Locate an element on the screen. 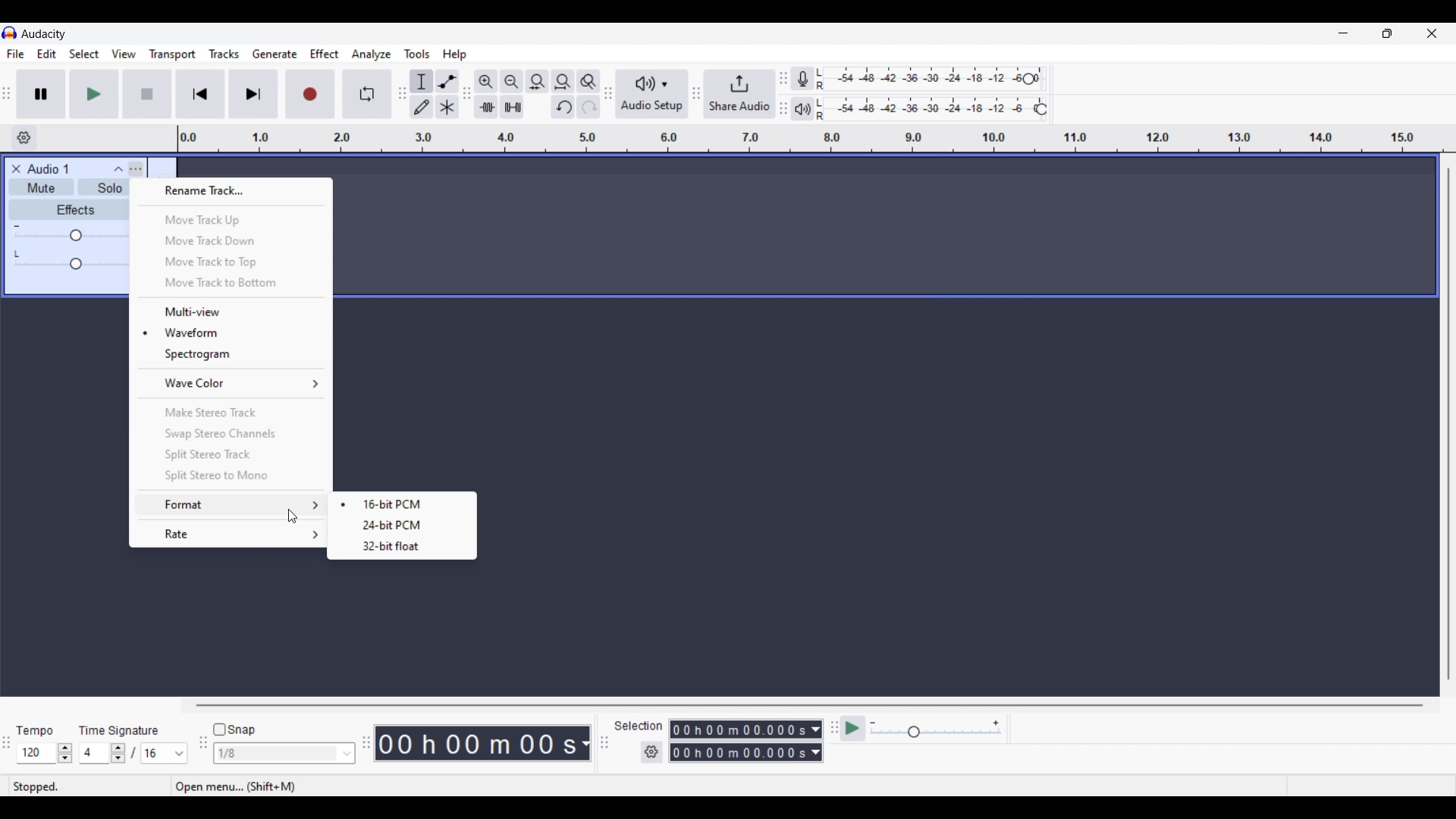  Move track to bottom is located at coordinates (231, 284).